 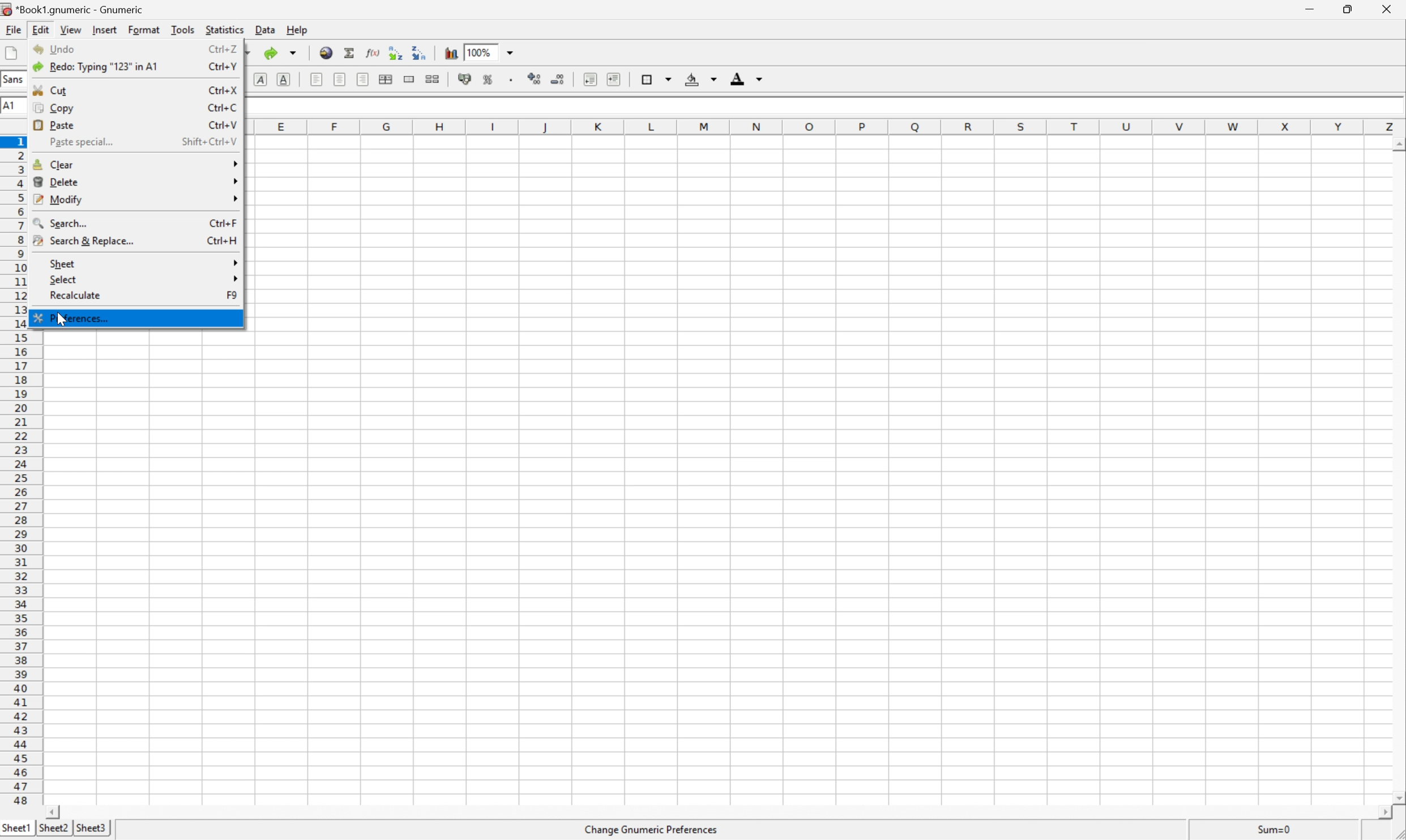 I want to click on scroll right, so click(x=1374, y=812).